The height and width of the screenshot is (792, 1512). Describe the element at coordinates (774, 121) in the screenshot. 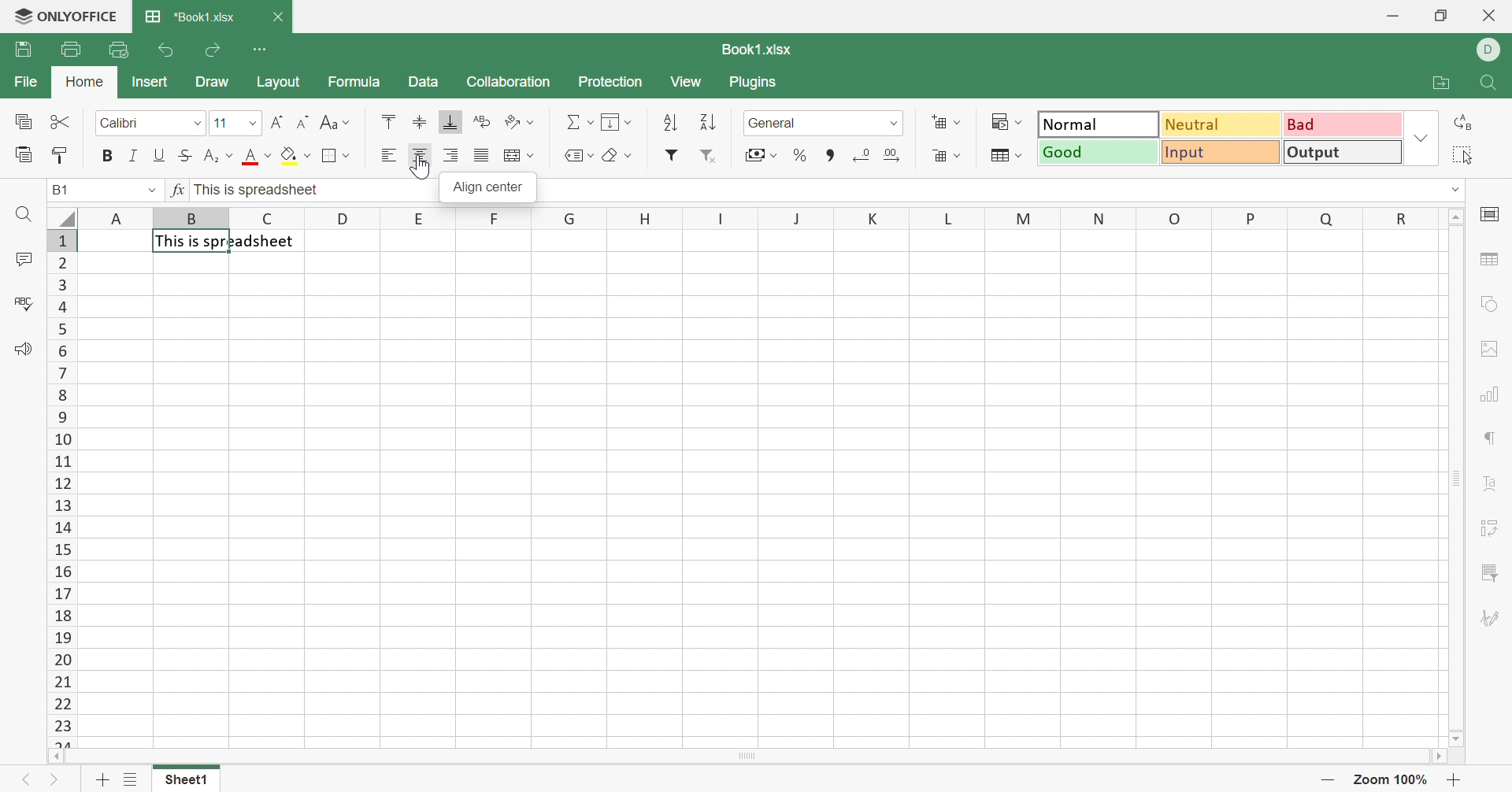

I see `General` at that location.